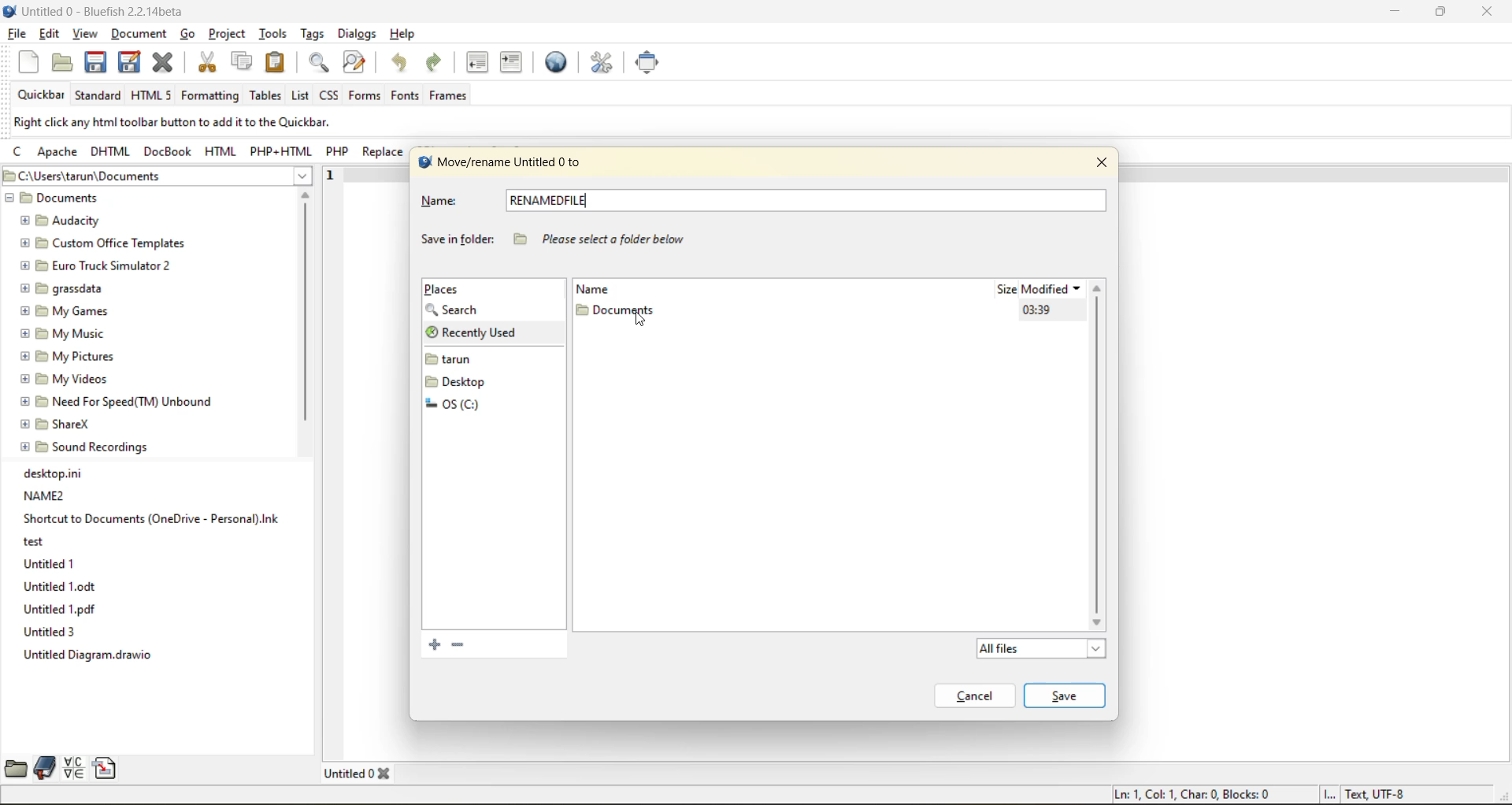 The image size is (1512, 805). I want to click on replace, so click(381, 153).